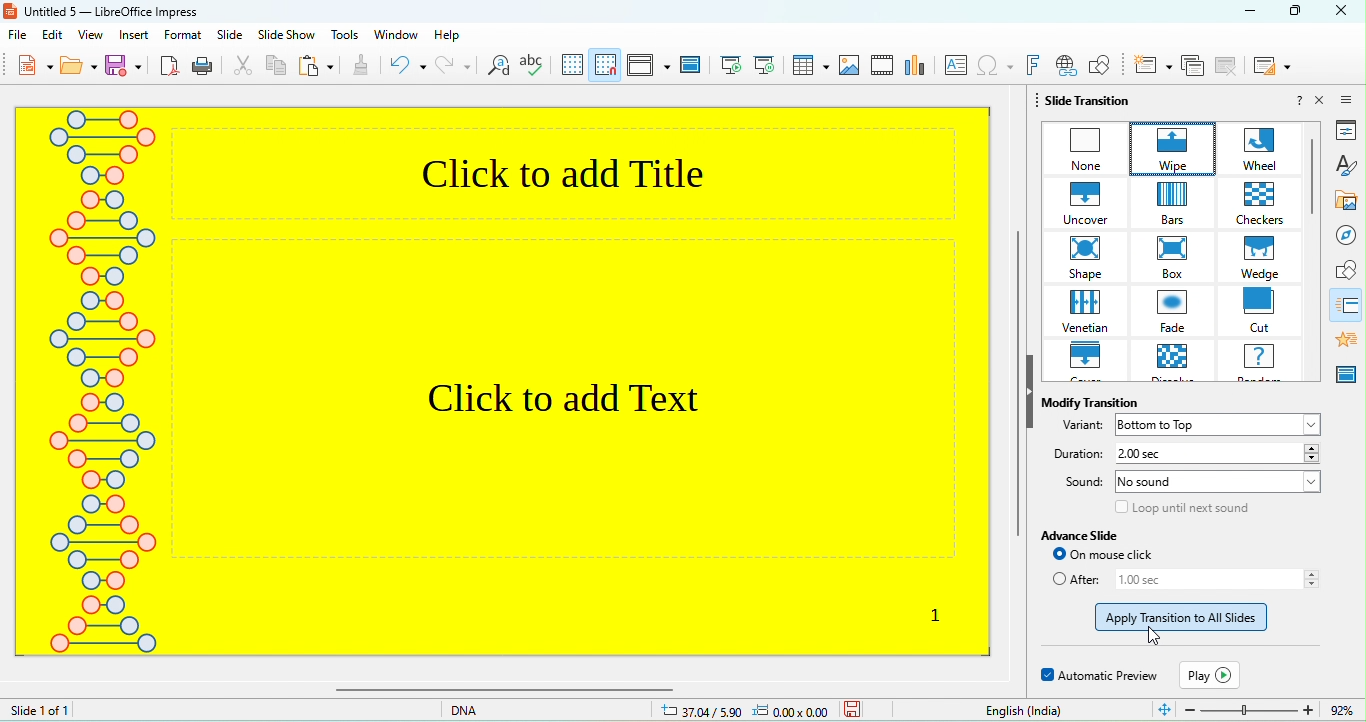  Describe the element at coordinates (1178, 511) in the screenshot. I see `loop until next sound` at that location.